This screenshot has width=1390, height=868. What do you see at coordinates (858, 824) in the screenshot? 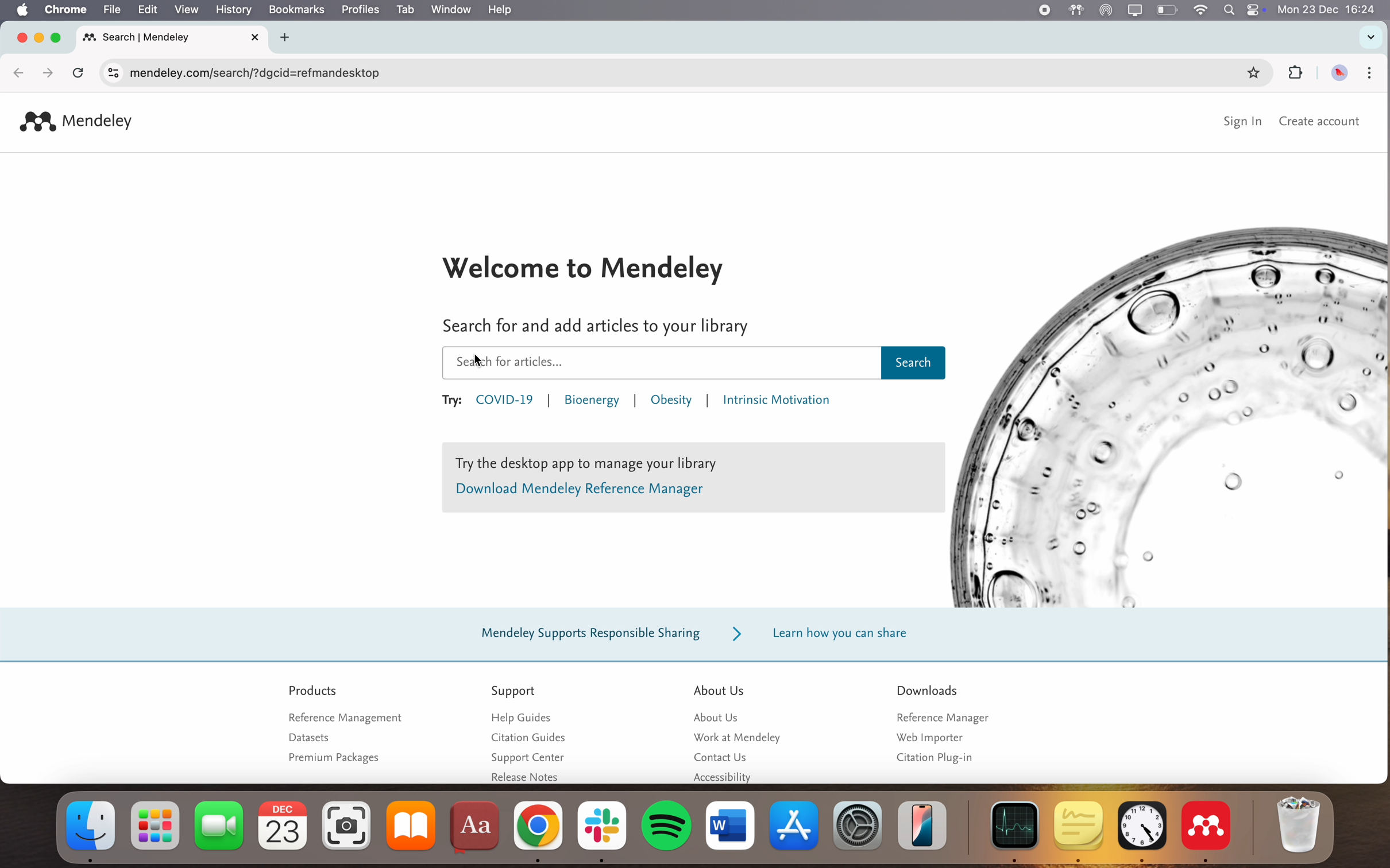
I see `settings` at bounding box center [858, 824].